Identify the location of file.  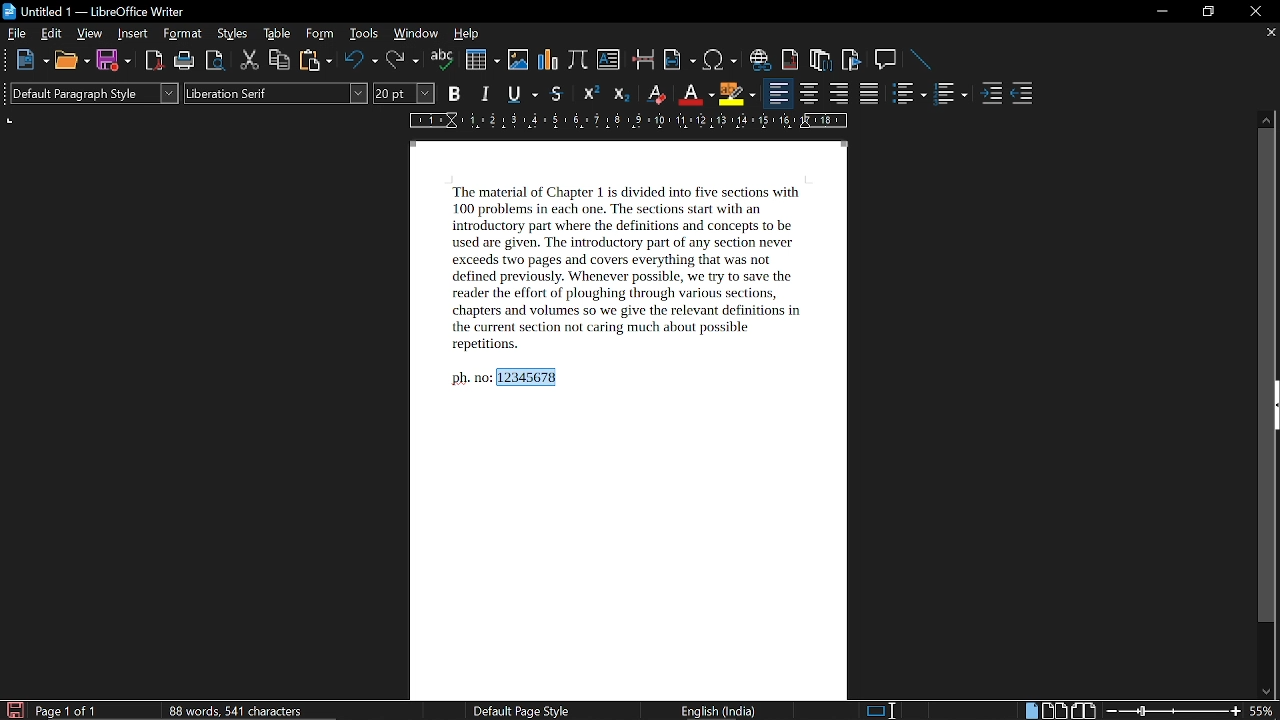
(18, 34).